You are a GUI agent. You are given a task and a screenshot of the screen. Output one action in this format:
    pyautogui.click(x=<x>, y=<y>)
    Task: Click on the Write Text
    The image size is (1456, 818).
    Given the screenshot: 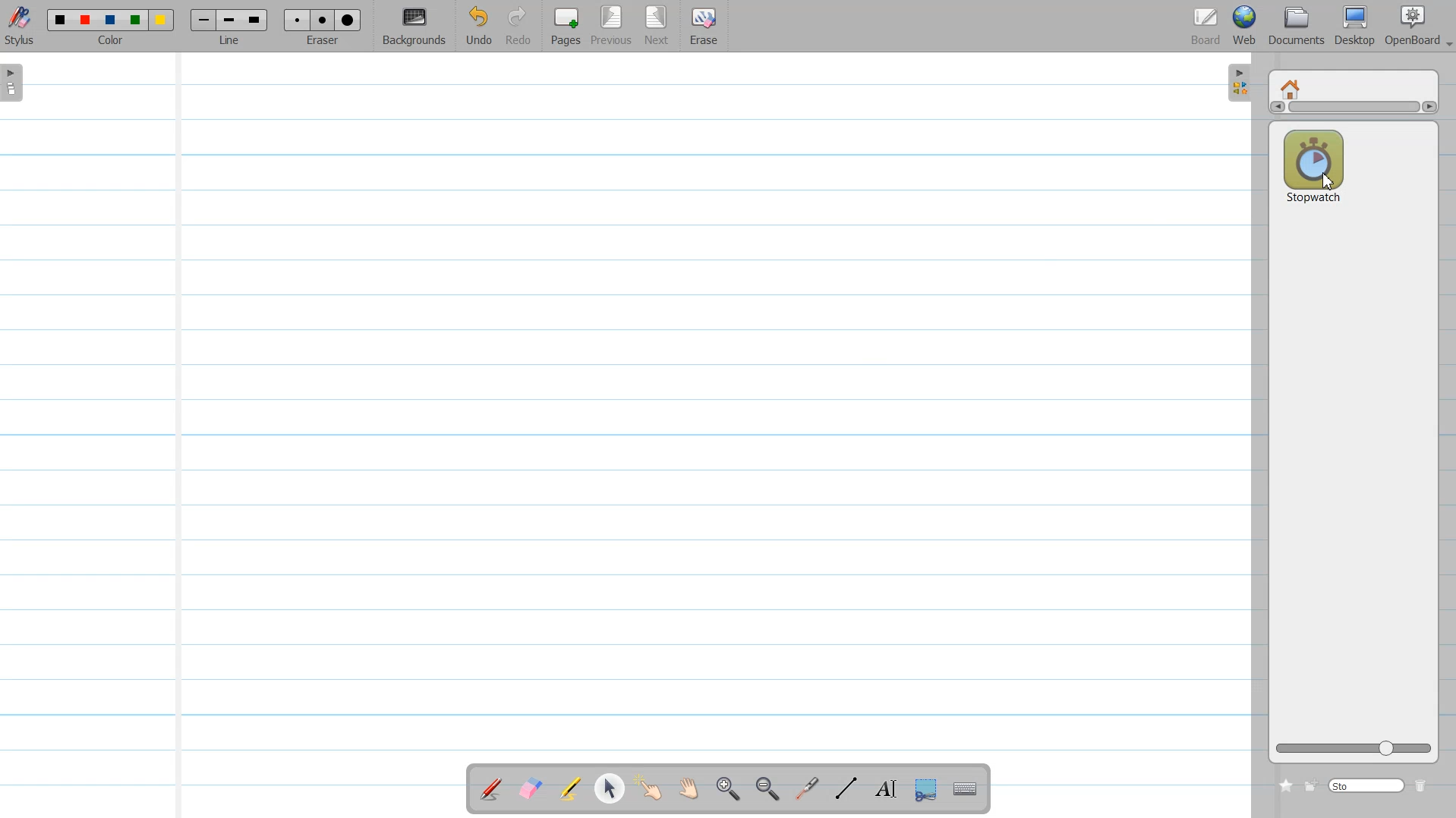 What is the action you would take?
    pyautogui.click(x=884, y=789)
    